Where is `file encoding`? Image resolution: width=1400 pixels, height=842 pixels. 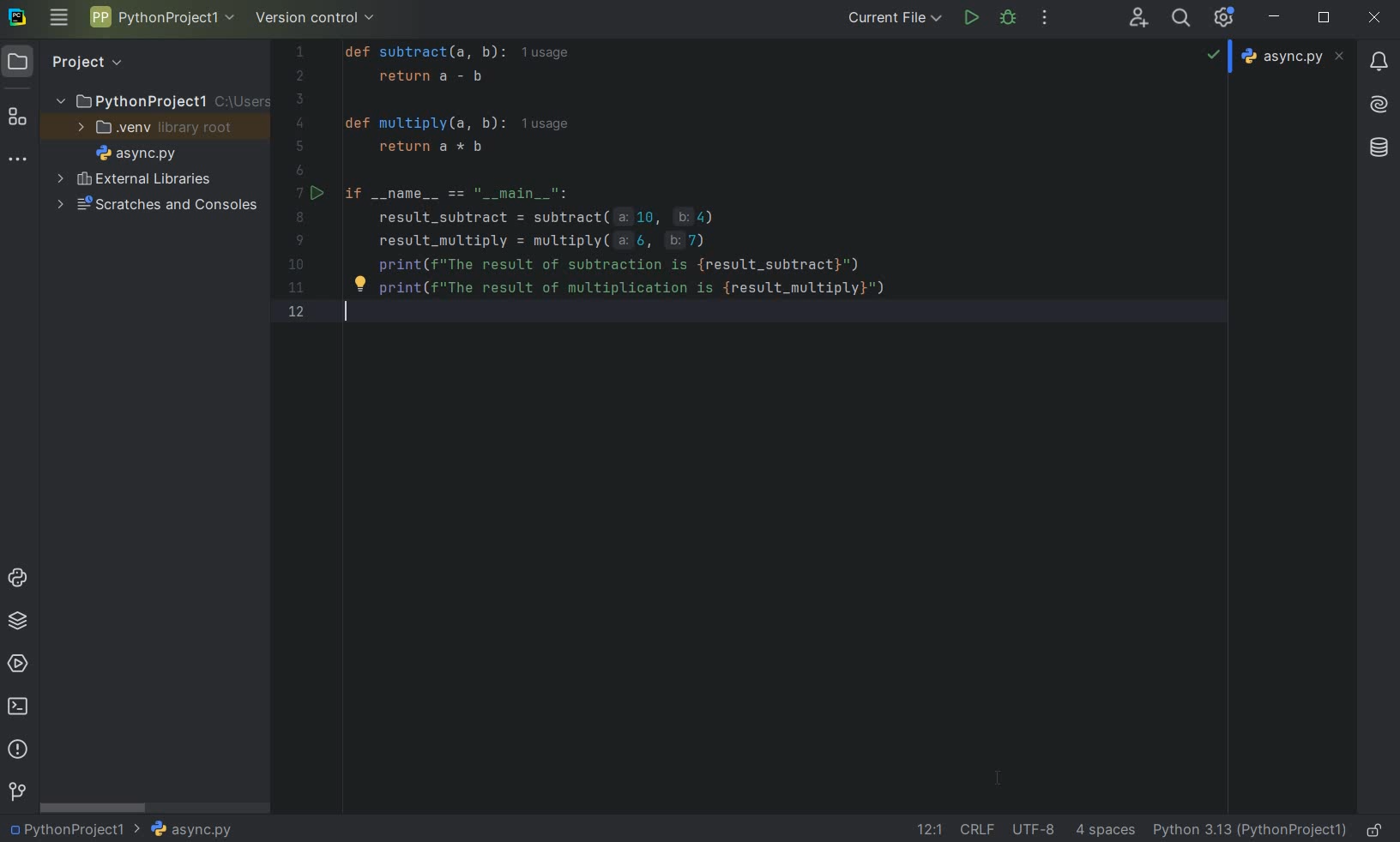 file encoding is located at coordinates (1035, 828).